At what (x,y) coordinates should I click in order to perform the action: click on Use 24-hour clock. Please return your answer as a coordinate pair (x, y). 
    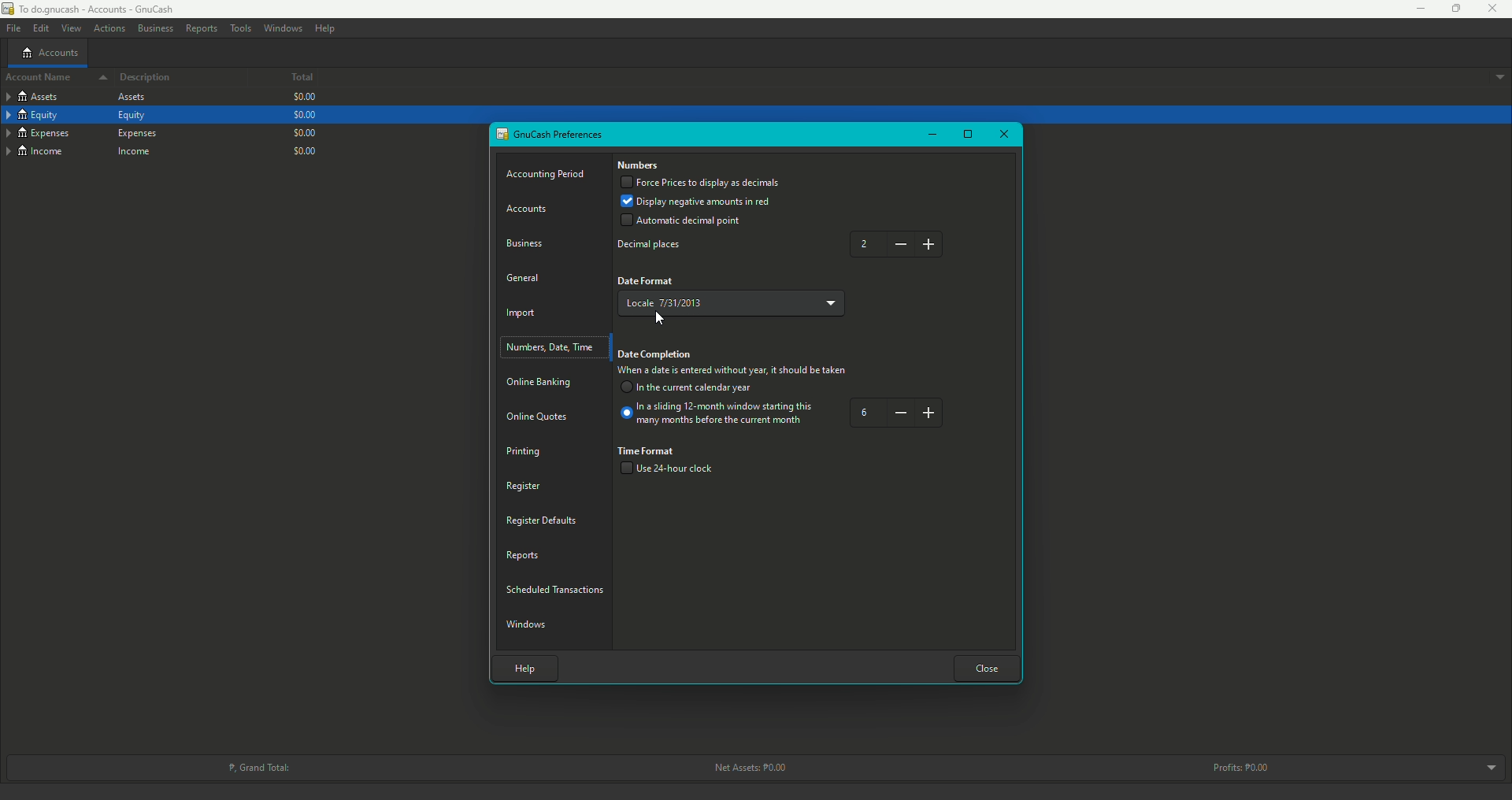
    Looking at the image, I should click on (673, 470).